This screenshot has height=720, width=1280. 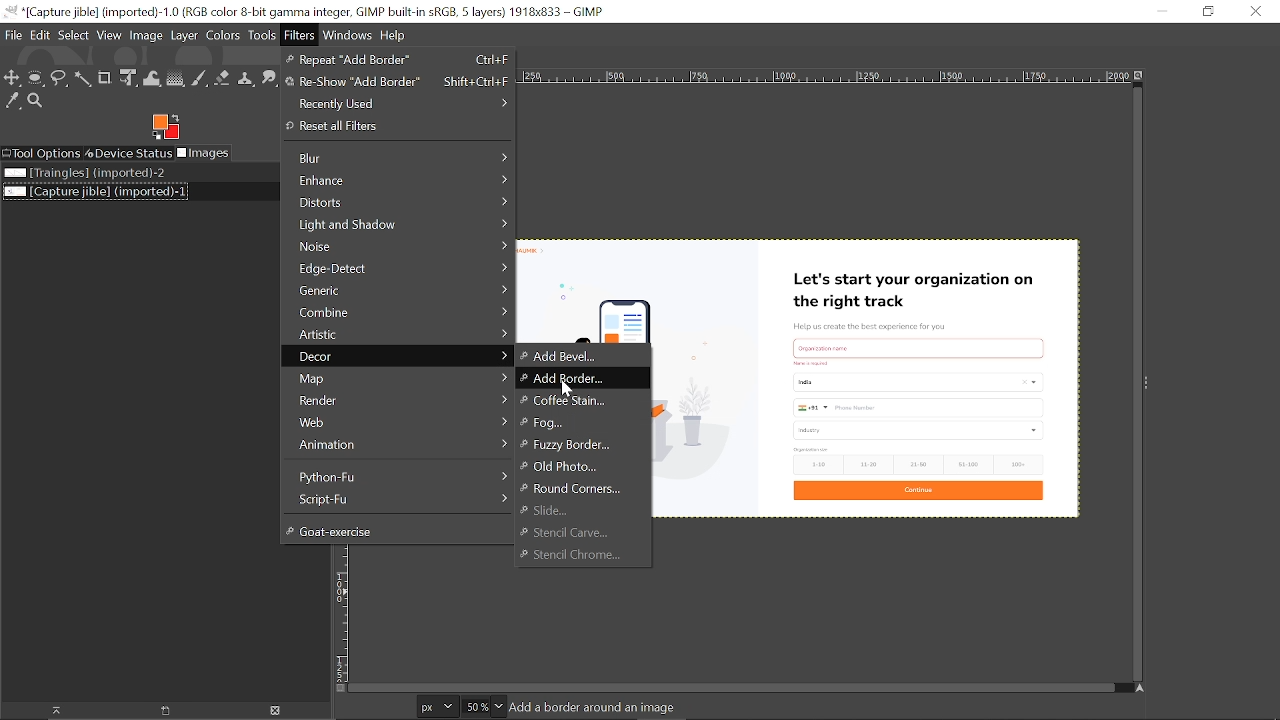 I want to click on Edit, so click(x=40, y=35).